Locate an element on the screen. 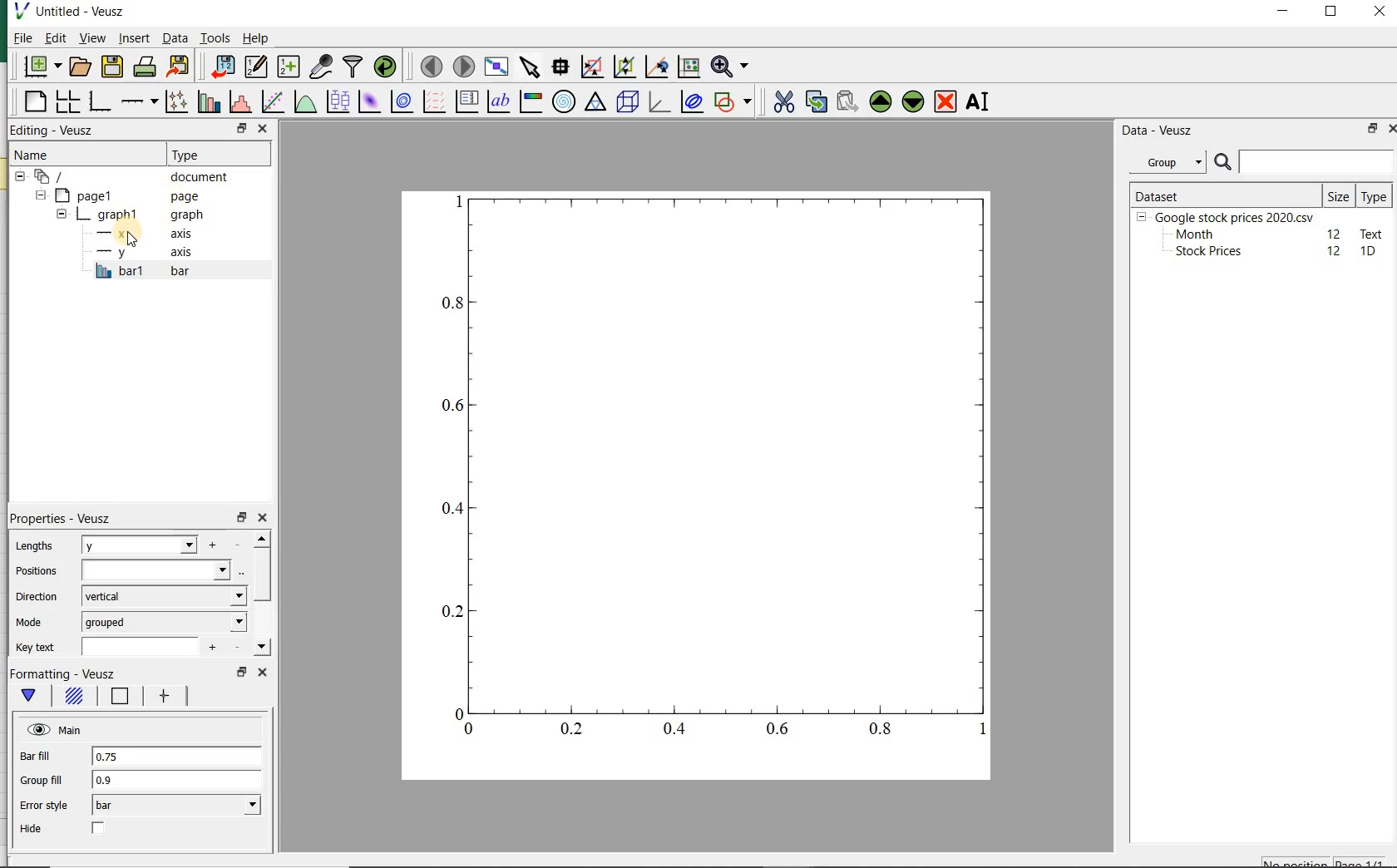 The width and height of the screenshot is (1397, 868). plot key is located at coordinates (466, 103).